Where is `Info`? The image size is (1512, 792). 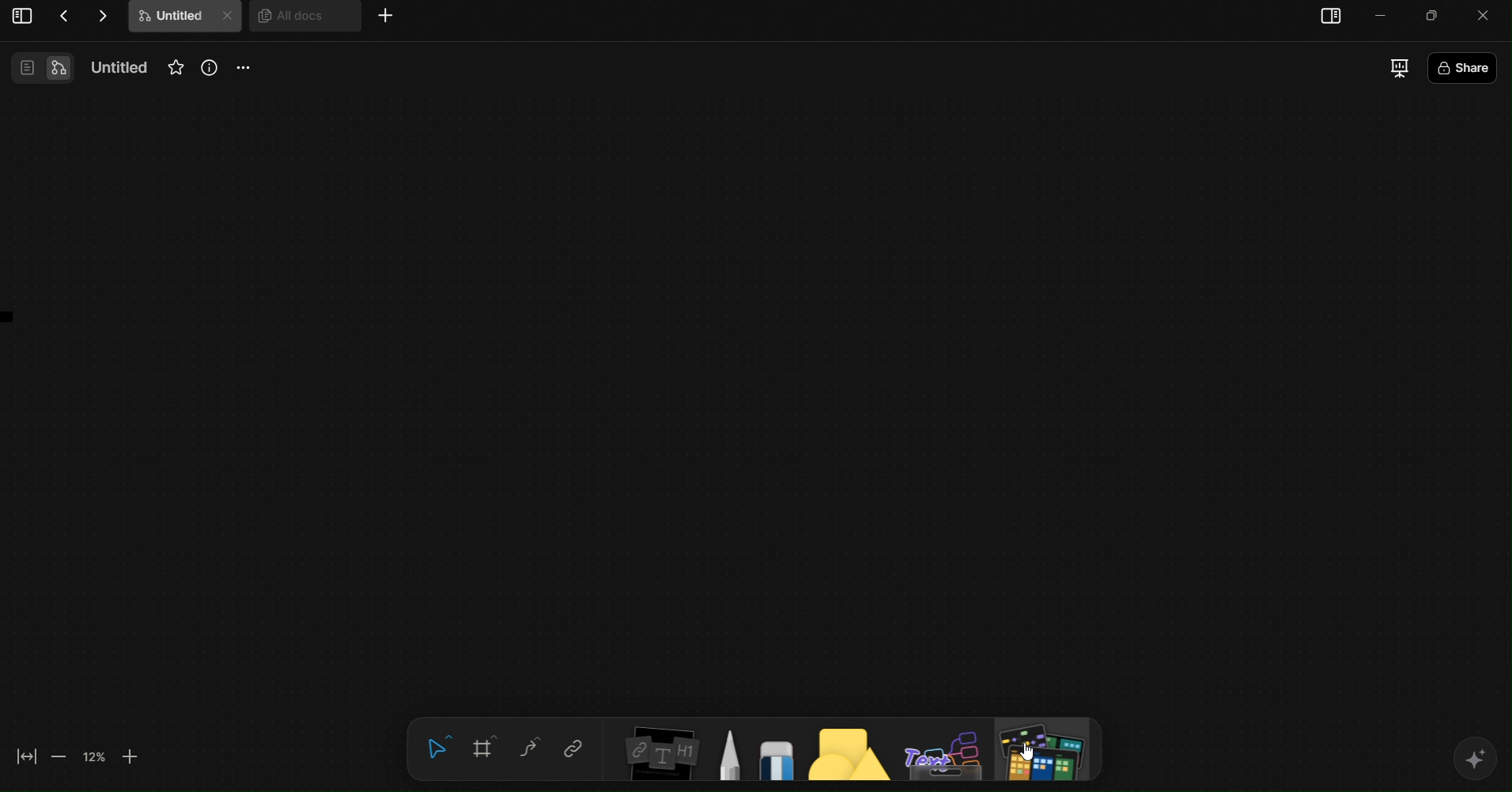
Info is located at coordinates (211, 70).